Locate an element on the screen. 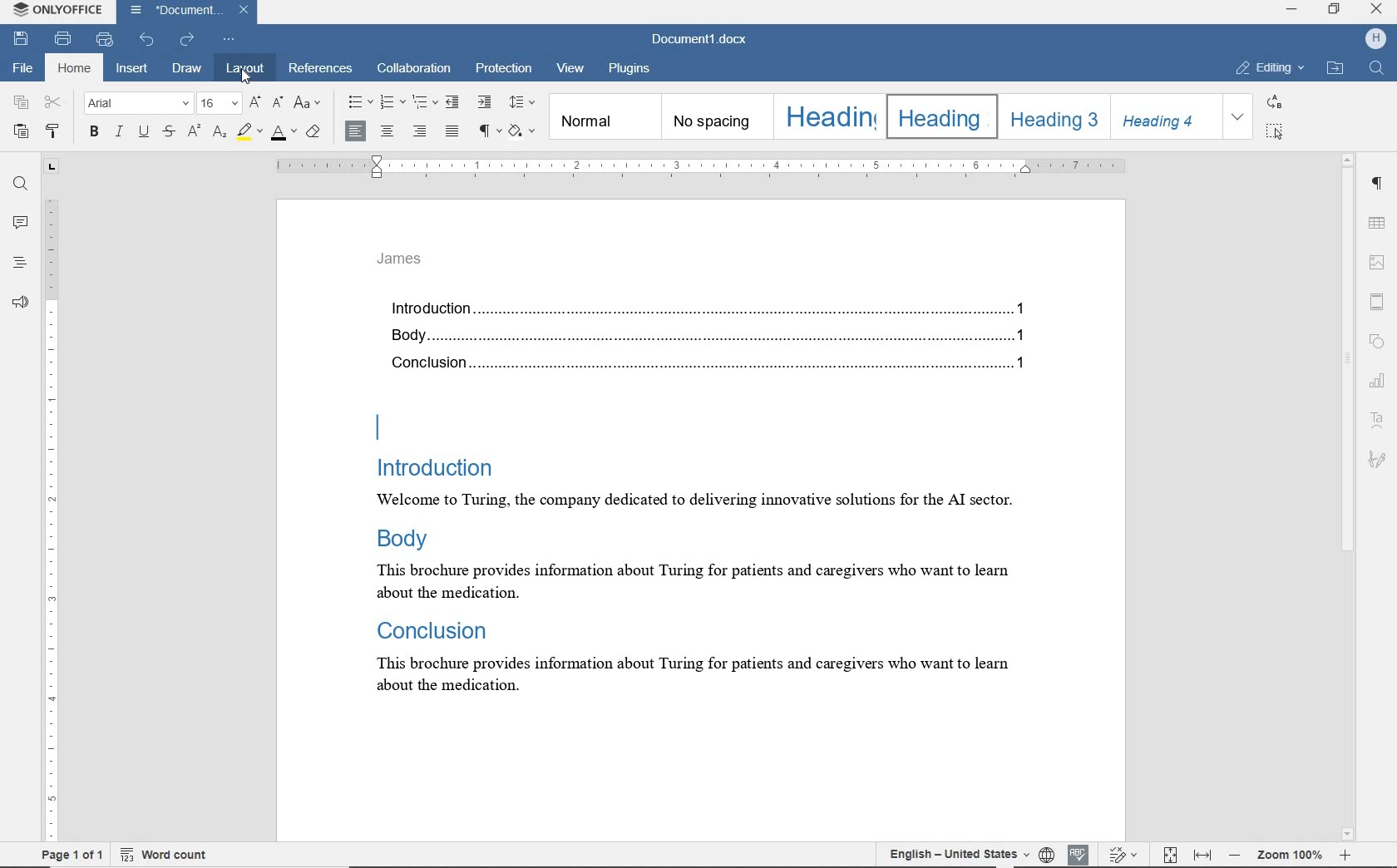  fit to width is located at coordinates (1203, 854).